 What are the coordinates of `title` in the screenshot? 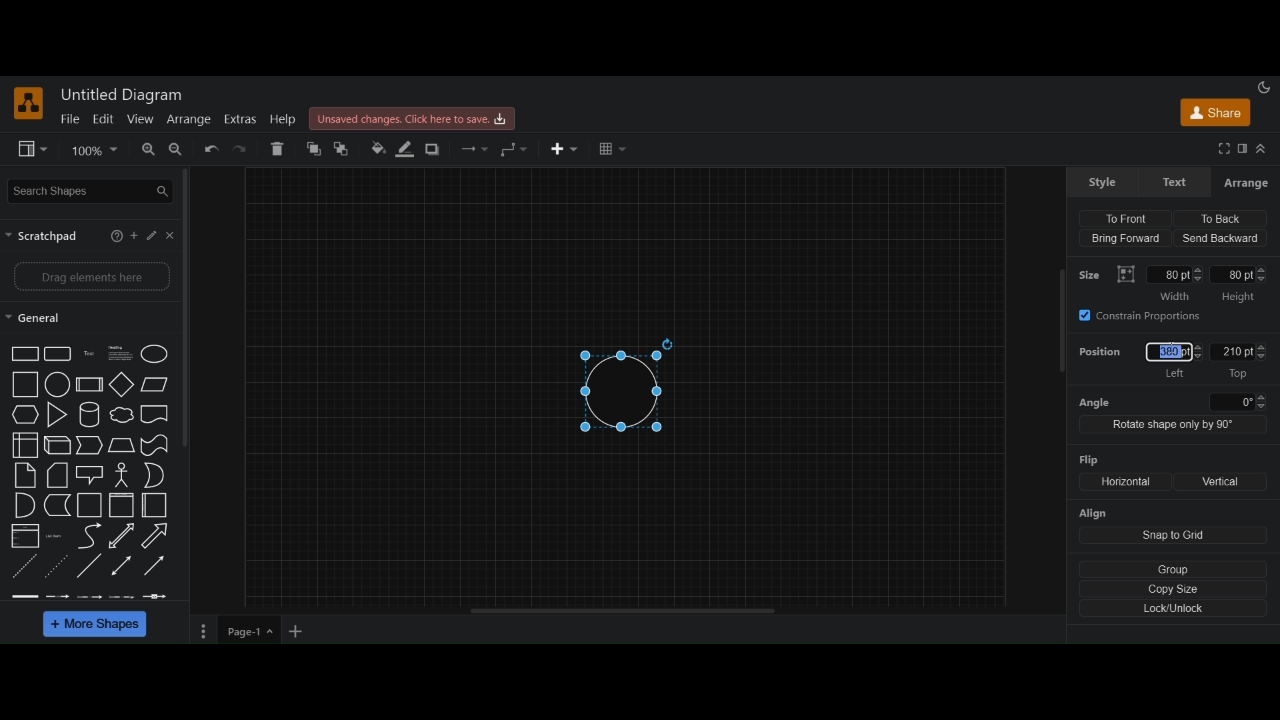 It's located at (125, 95).